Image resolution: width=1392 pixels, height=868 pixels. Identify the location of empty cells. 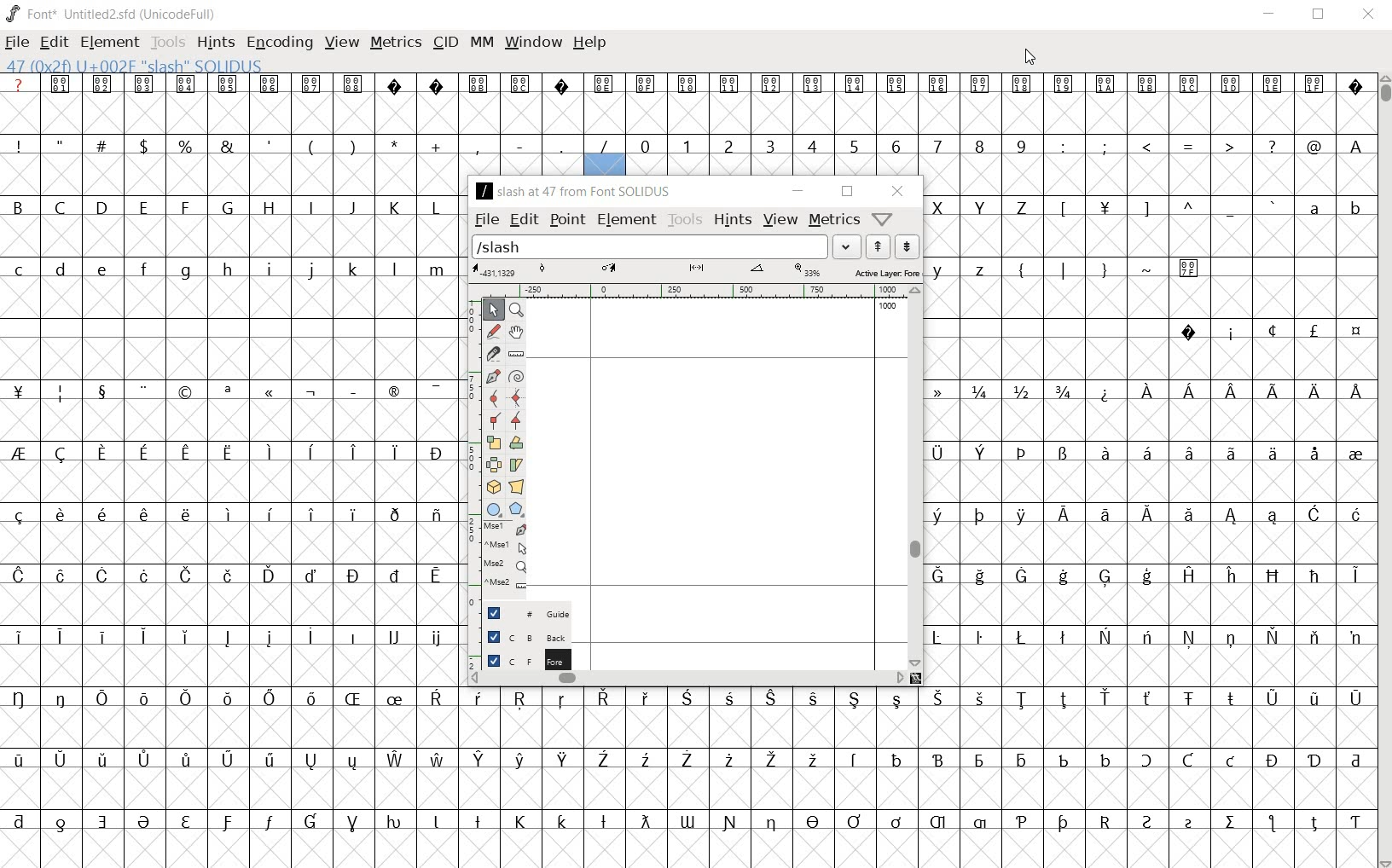
(688, 847).